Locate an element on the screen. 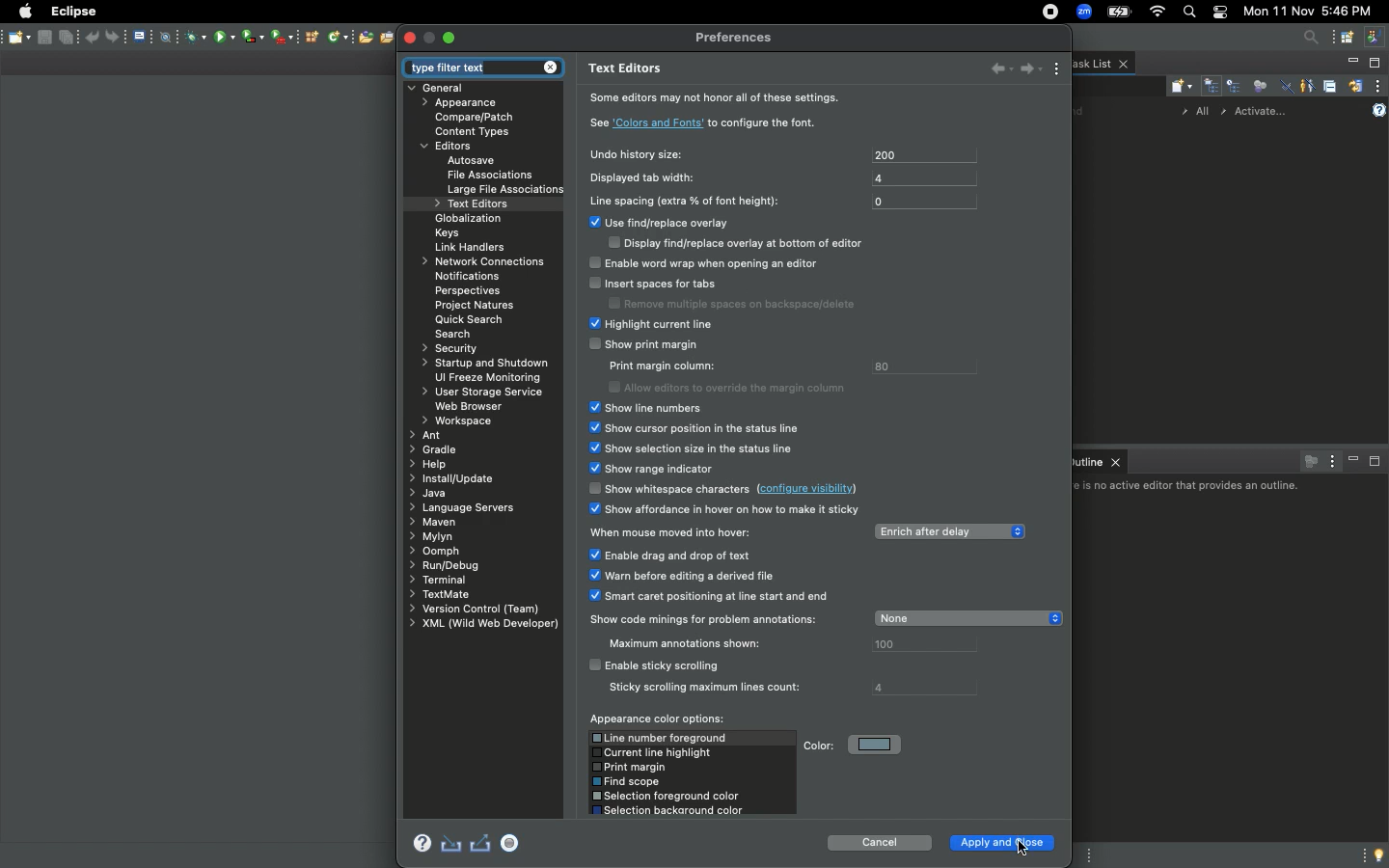 The image size is (1389, 868). Language servers  is located at coordinates (464, 507).